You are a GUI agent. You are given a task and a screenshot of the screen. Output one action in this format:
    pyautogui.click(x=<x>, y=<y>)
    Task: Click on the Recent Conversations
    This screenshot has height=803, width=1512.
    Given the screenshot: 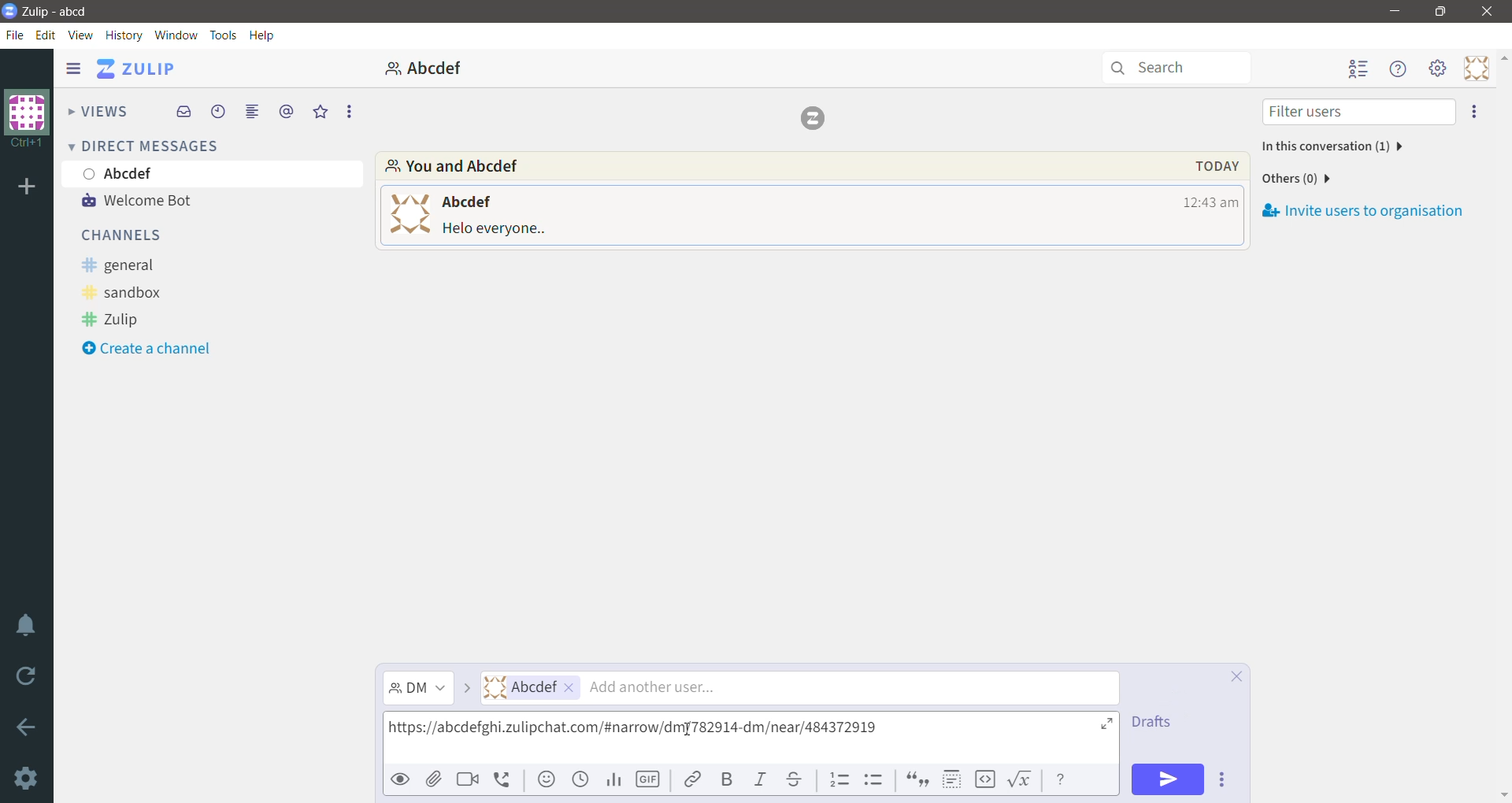 What is the action you would take?
    pyautogui.click(x=218, y=112)
    